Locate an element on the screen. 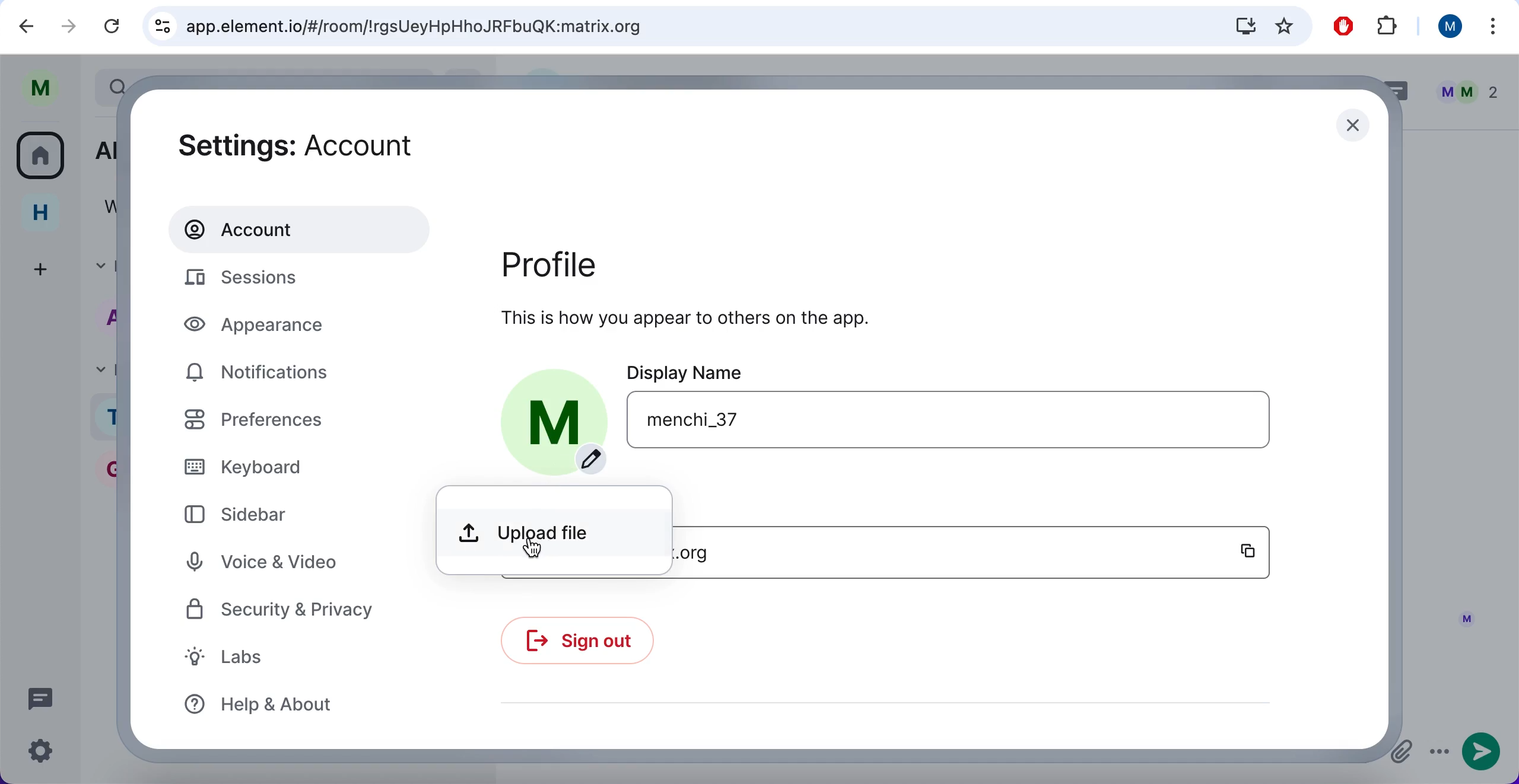 The width and height of the screenshot is (1519, 784). threads is located at coordinates (40, 698).